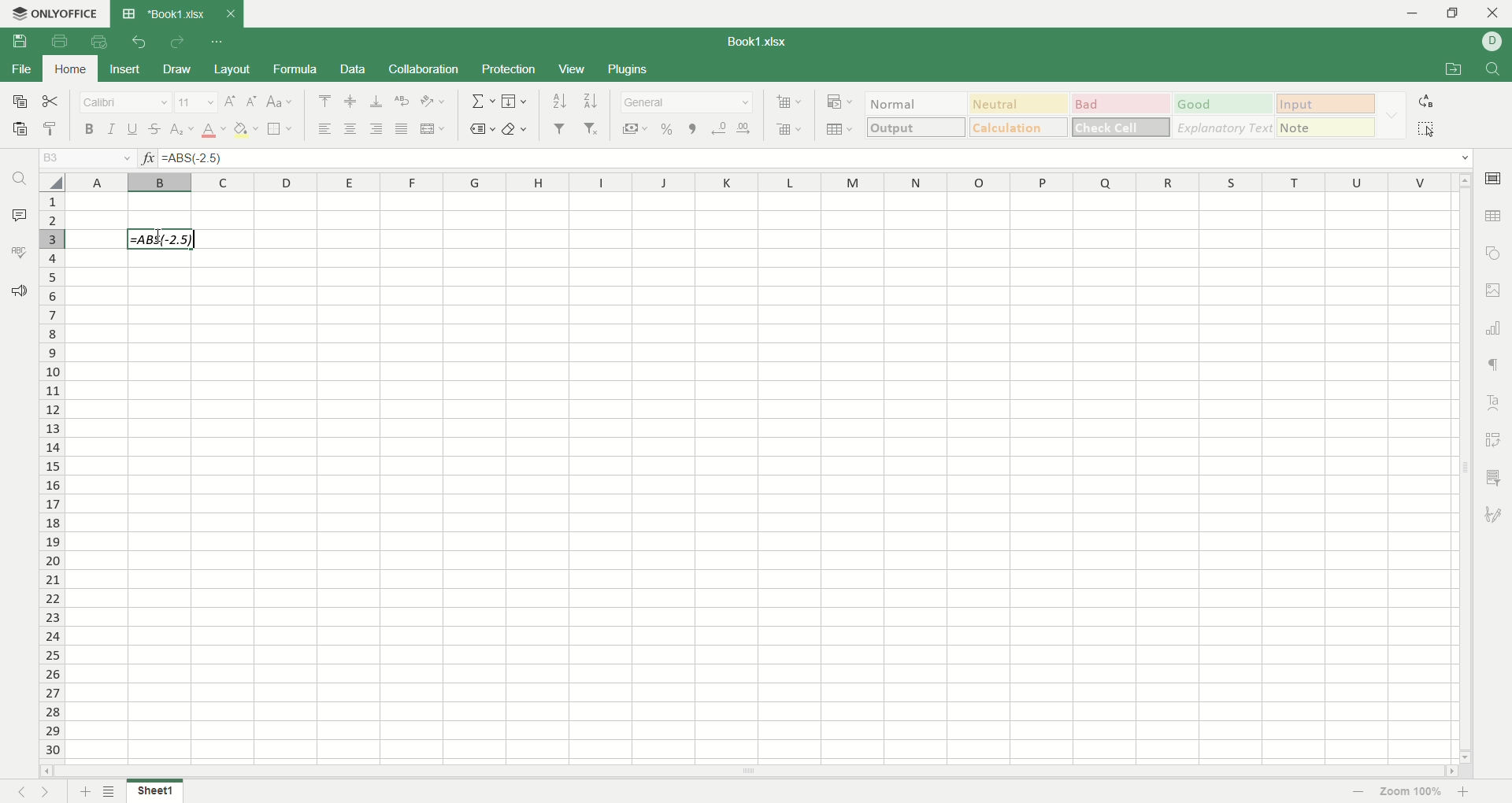 Image resolution: width=1512 pixels, height=803 pixels. I want to click on background color, so click(246, 129).